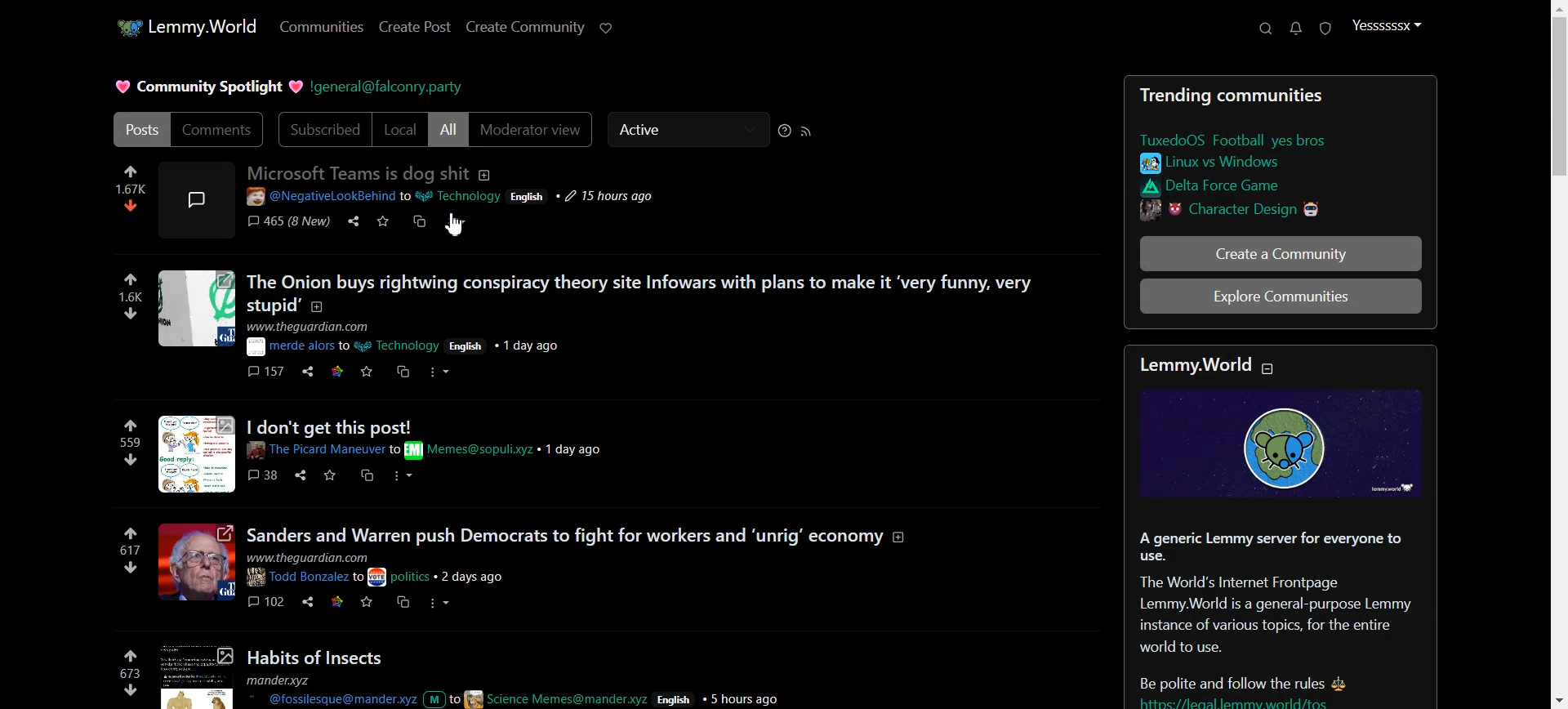 The image size is (1568, 709). Describe the element at coordinates (220, 129) in the screenshot. I see `Comments` at that location.